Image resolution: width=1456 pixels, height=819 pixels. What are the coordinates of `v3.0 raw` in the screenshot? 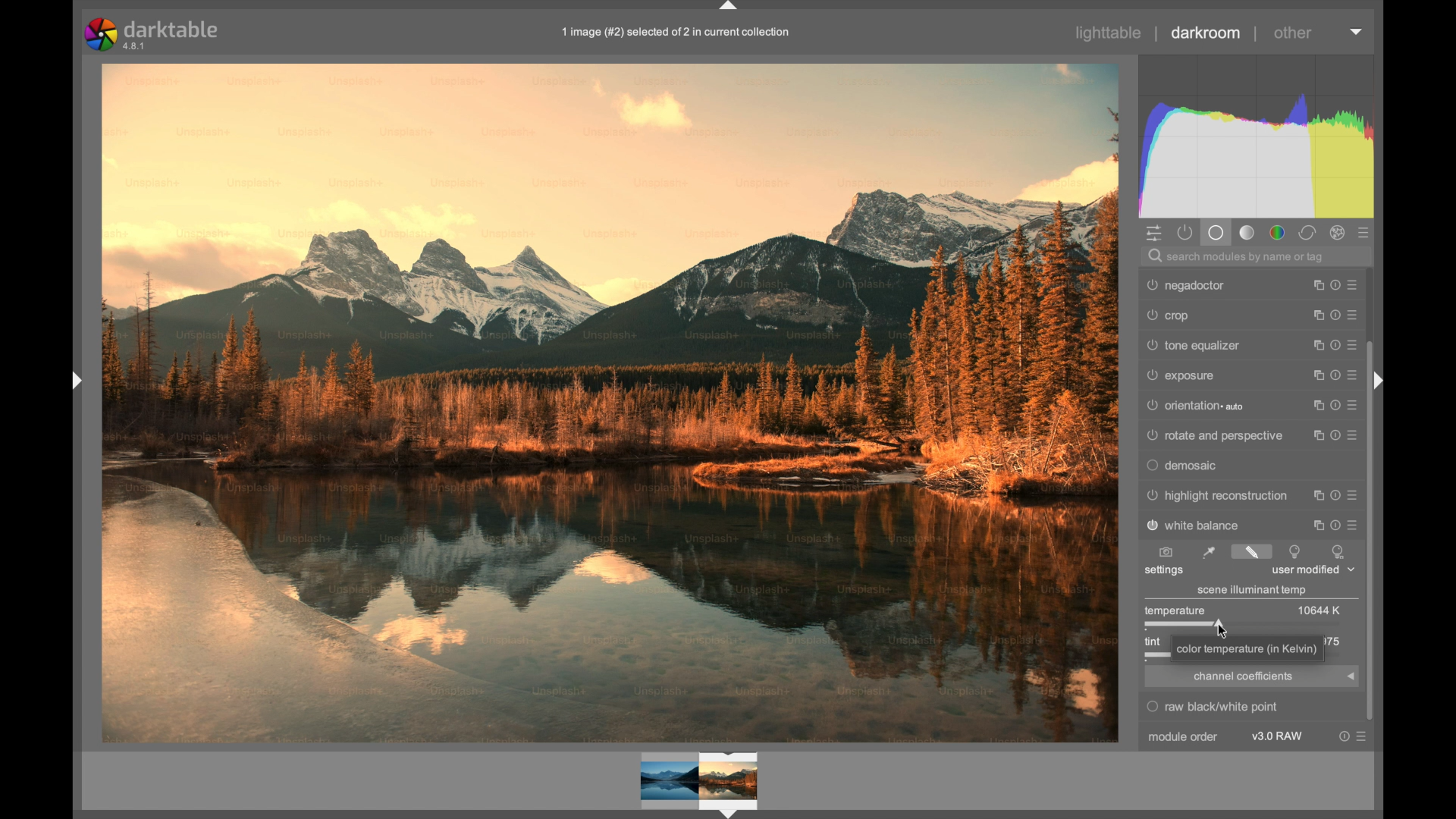 It's located at (1278, 736).